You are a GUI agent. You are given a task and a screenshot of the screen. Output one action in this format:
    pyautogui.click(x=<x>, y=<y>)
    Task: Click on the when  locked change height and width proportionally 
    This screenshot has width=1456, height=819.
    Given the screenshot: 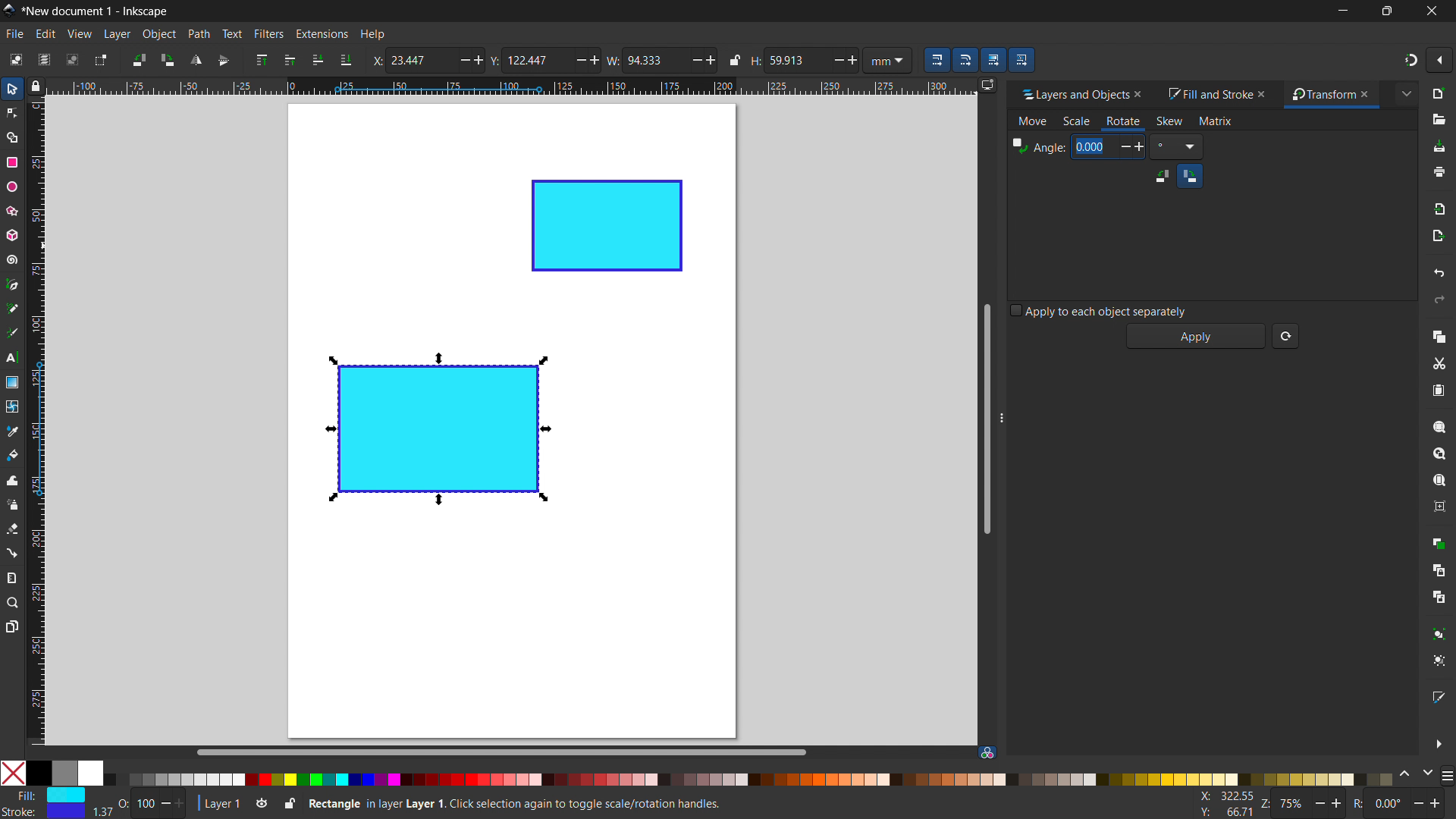 What is the action you would take?
    pyautogui.click(x=735, y=60)
    